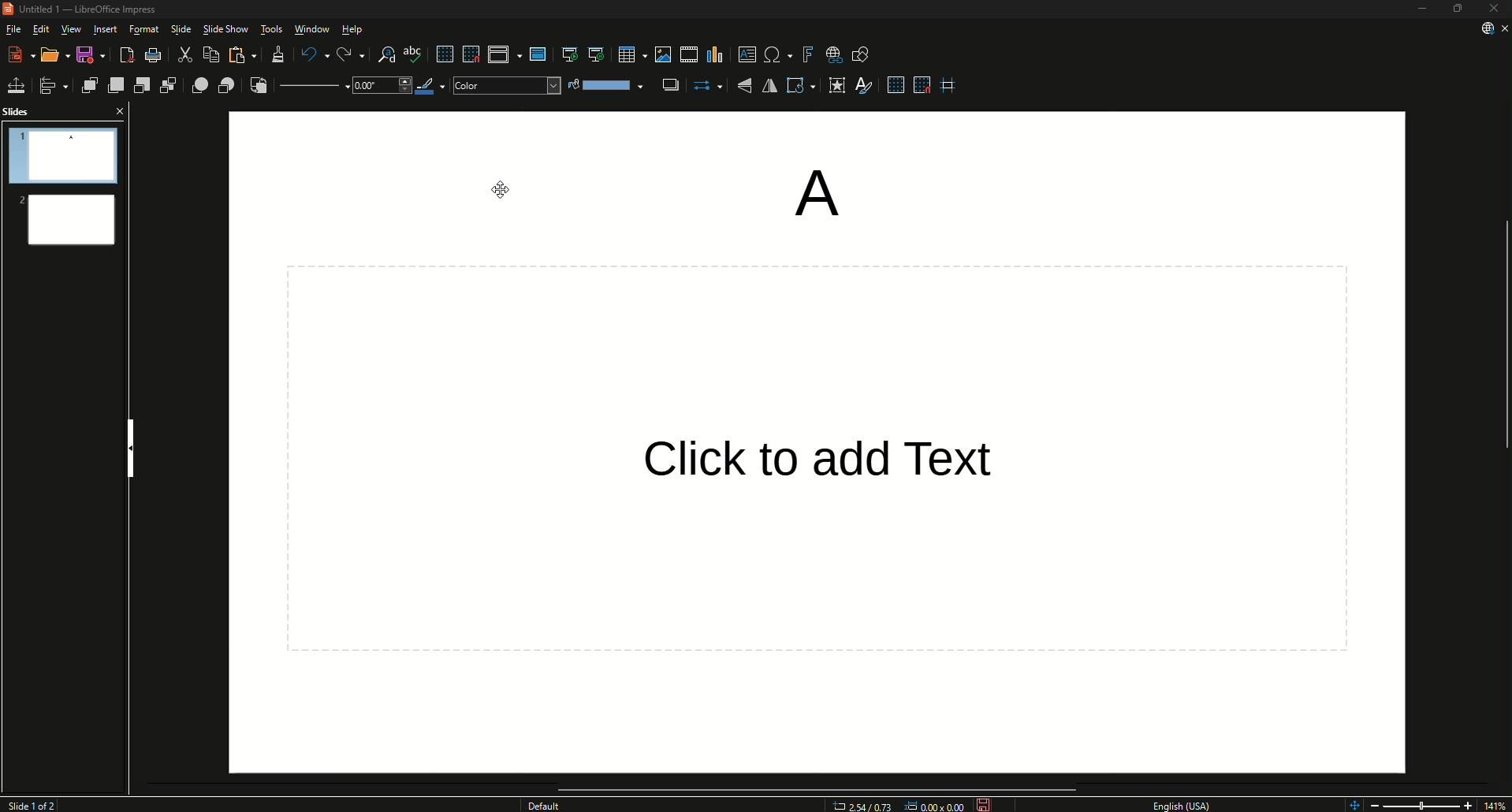 Image resolution: width=1512 pixels, height=812 pixels. I want to click on Master slide, so click(541, 54).